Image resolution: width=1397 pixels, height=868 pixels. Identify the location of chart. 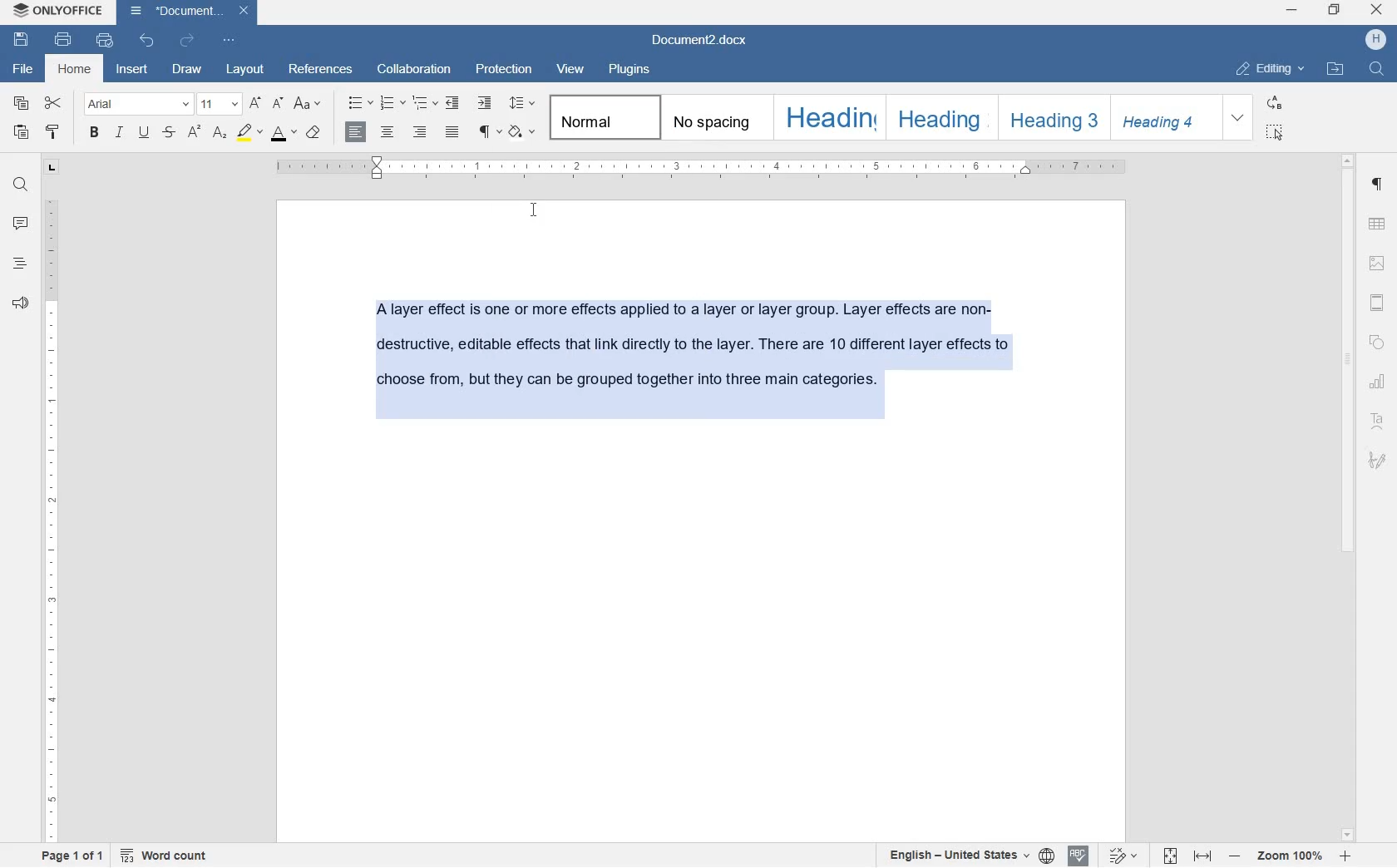
(1379, 382).